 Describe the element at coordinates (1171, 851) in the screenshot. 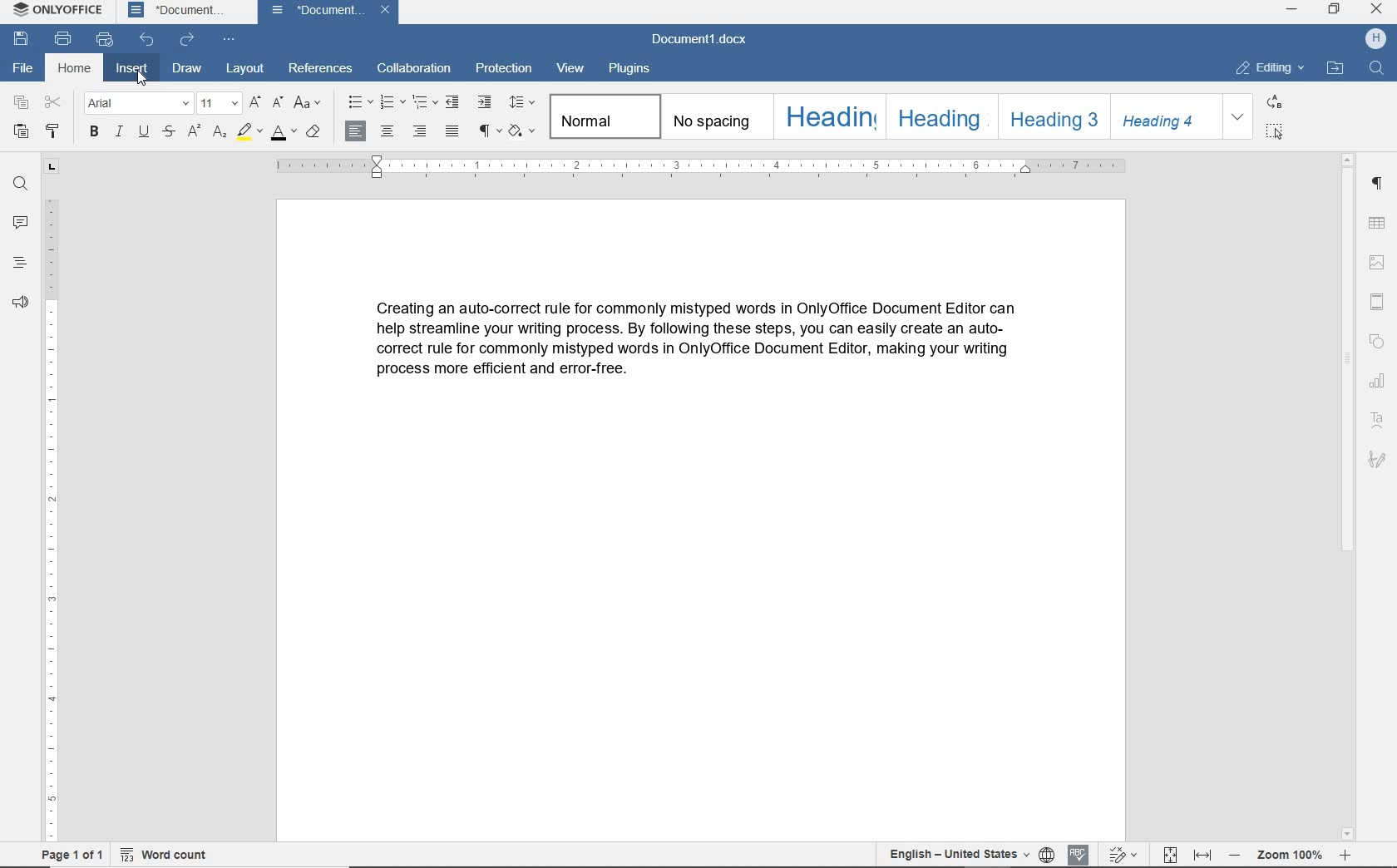

I see `Fit to page` at that location.